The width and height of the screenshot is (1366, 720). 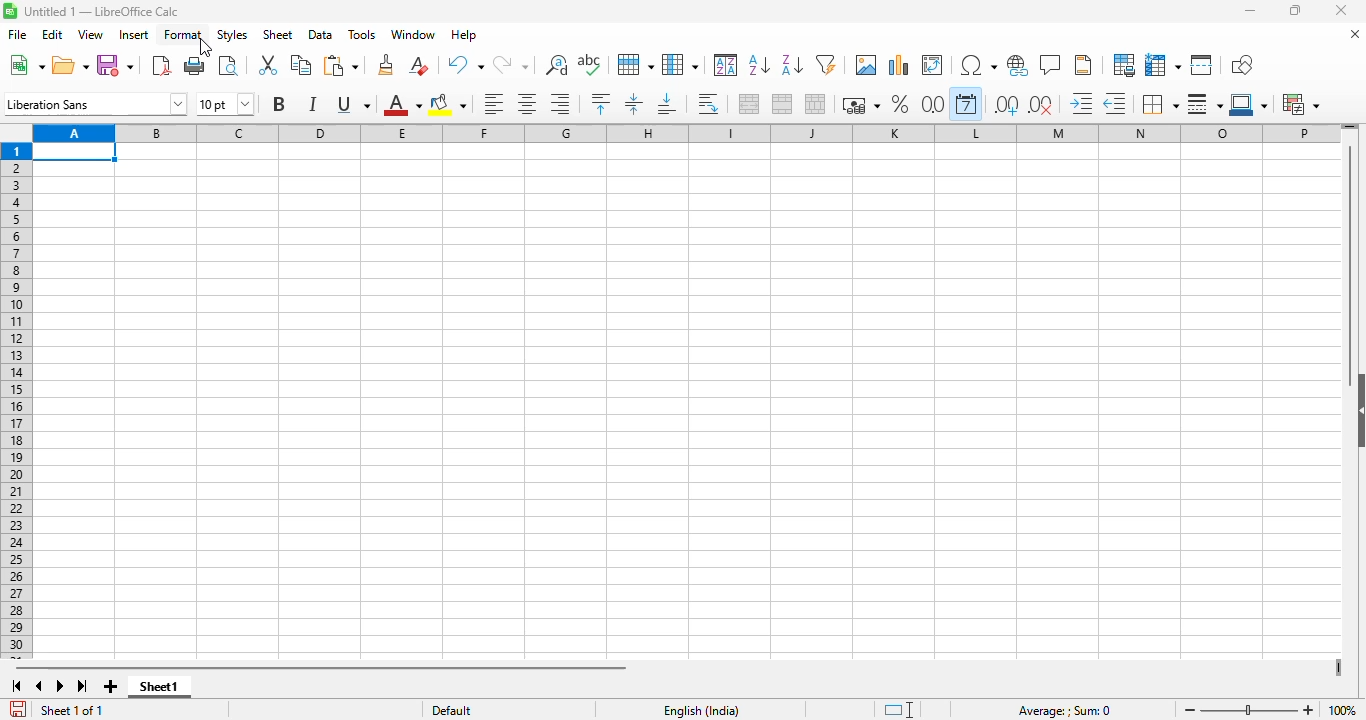 What do you see at coordinates (814, 104) in the screenshot?
I see `unmerge cells` at bounding box center [814, 104].